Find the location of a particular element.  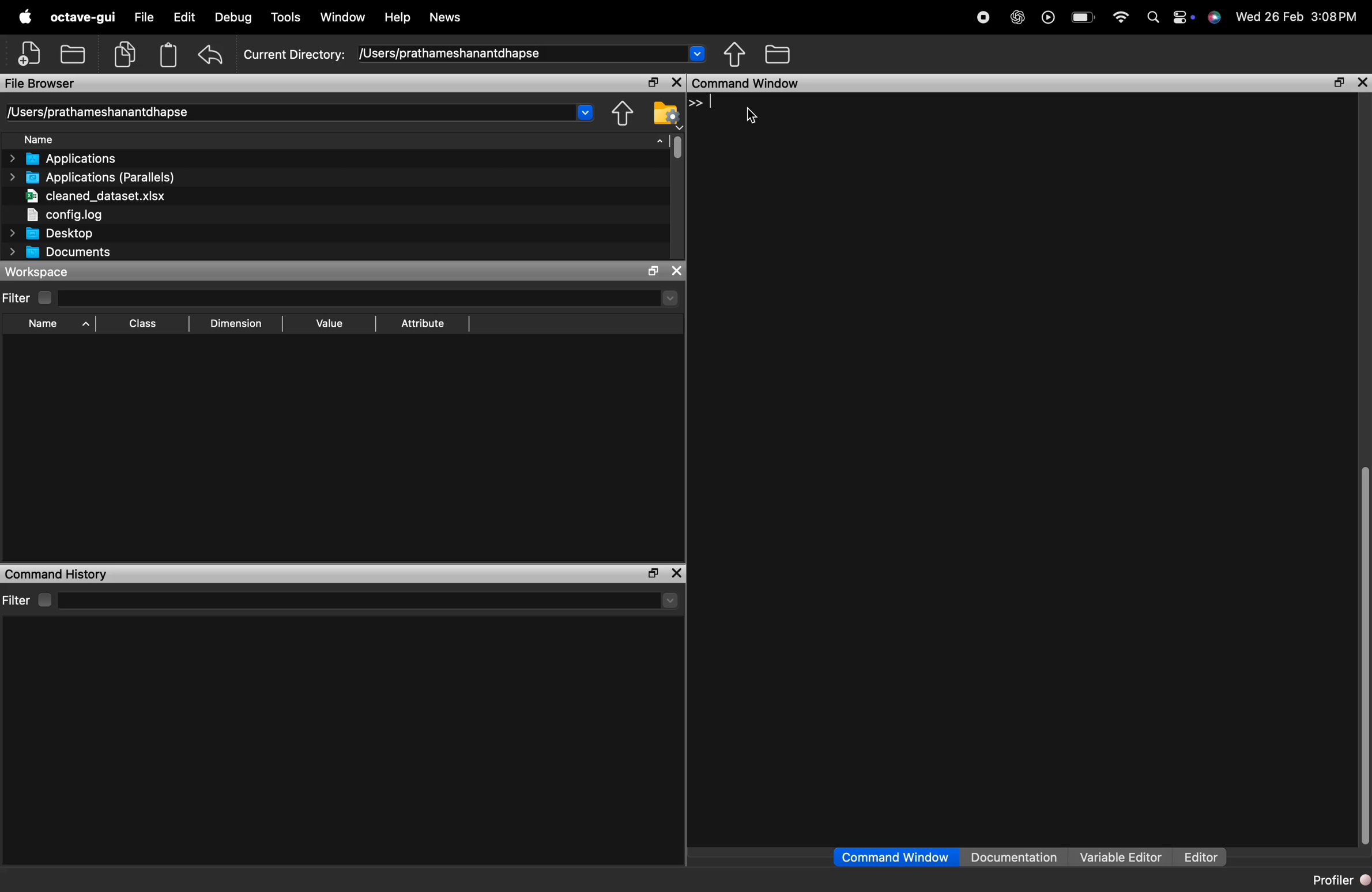

wifi is located at coordinates (1122, 14).